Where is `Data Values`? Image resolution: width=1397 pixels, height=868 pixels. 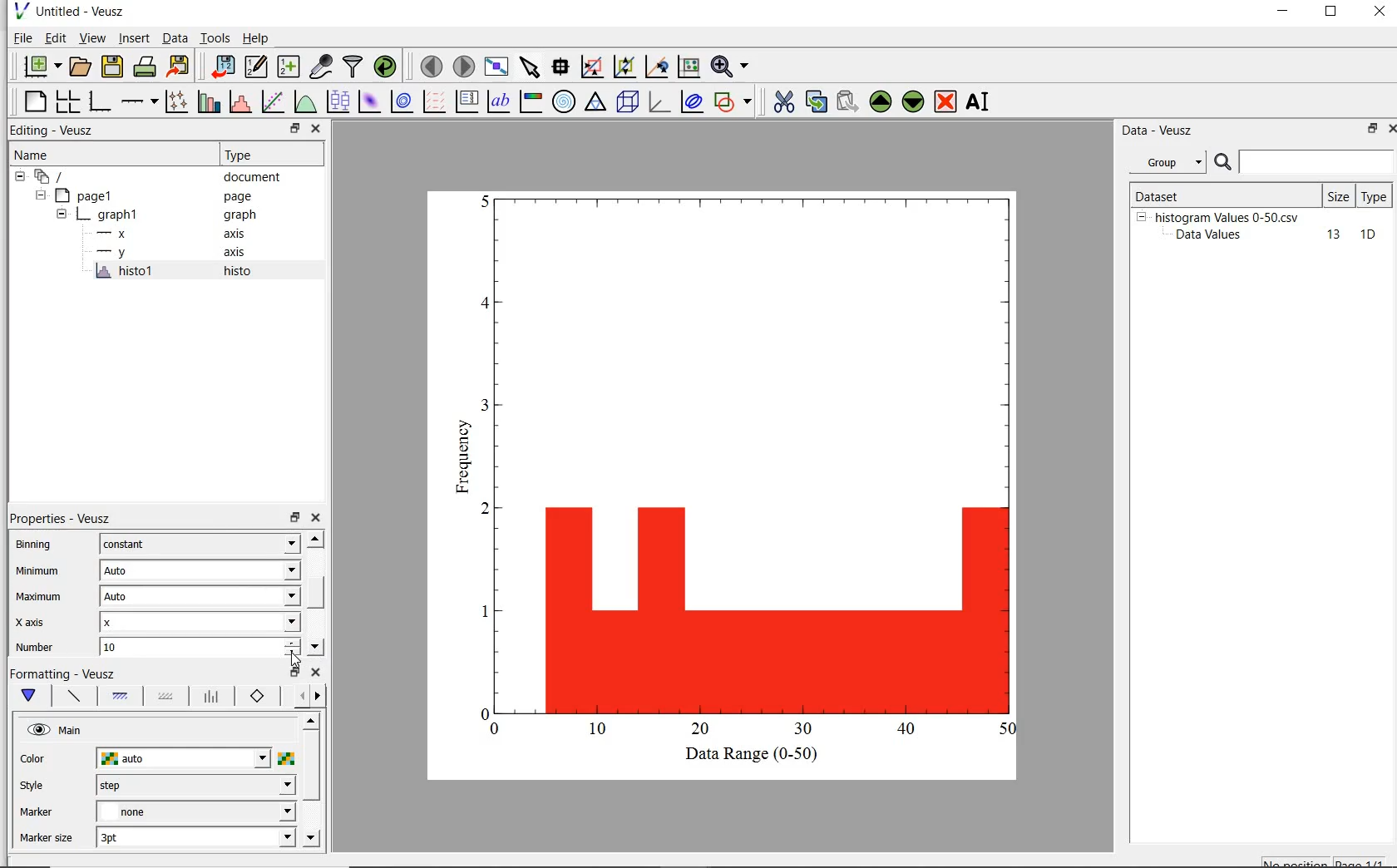 Data Values is located at coordinates (1214, 235).